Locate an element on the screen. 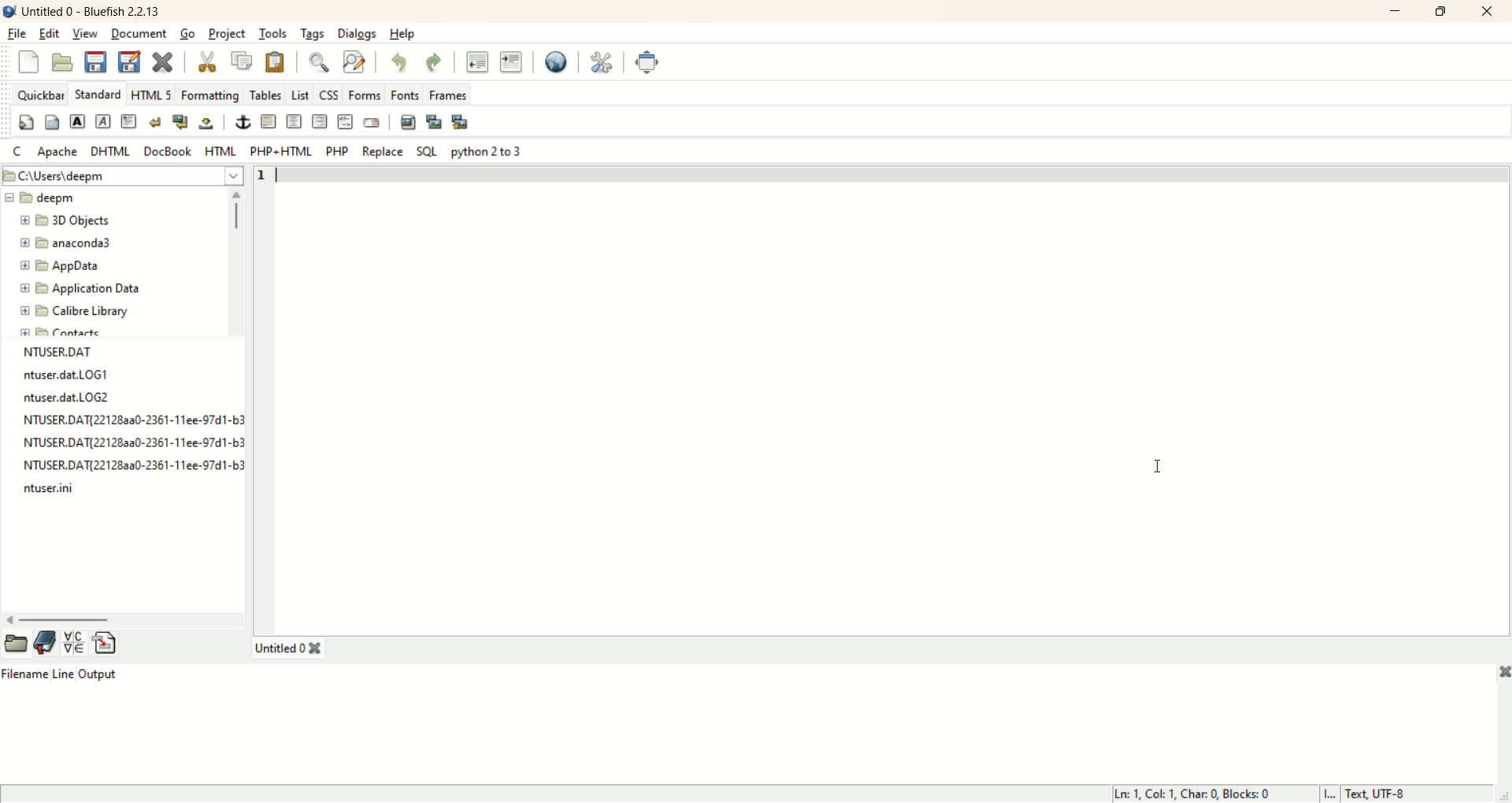 Image resolution: width=1512 pixels, height=803 pixels. anaconda is located at coordinates (71, 243).